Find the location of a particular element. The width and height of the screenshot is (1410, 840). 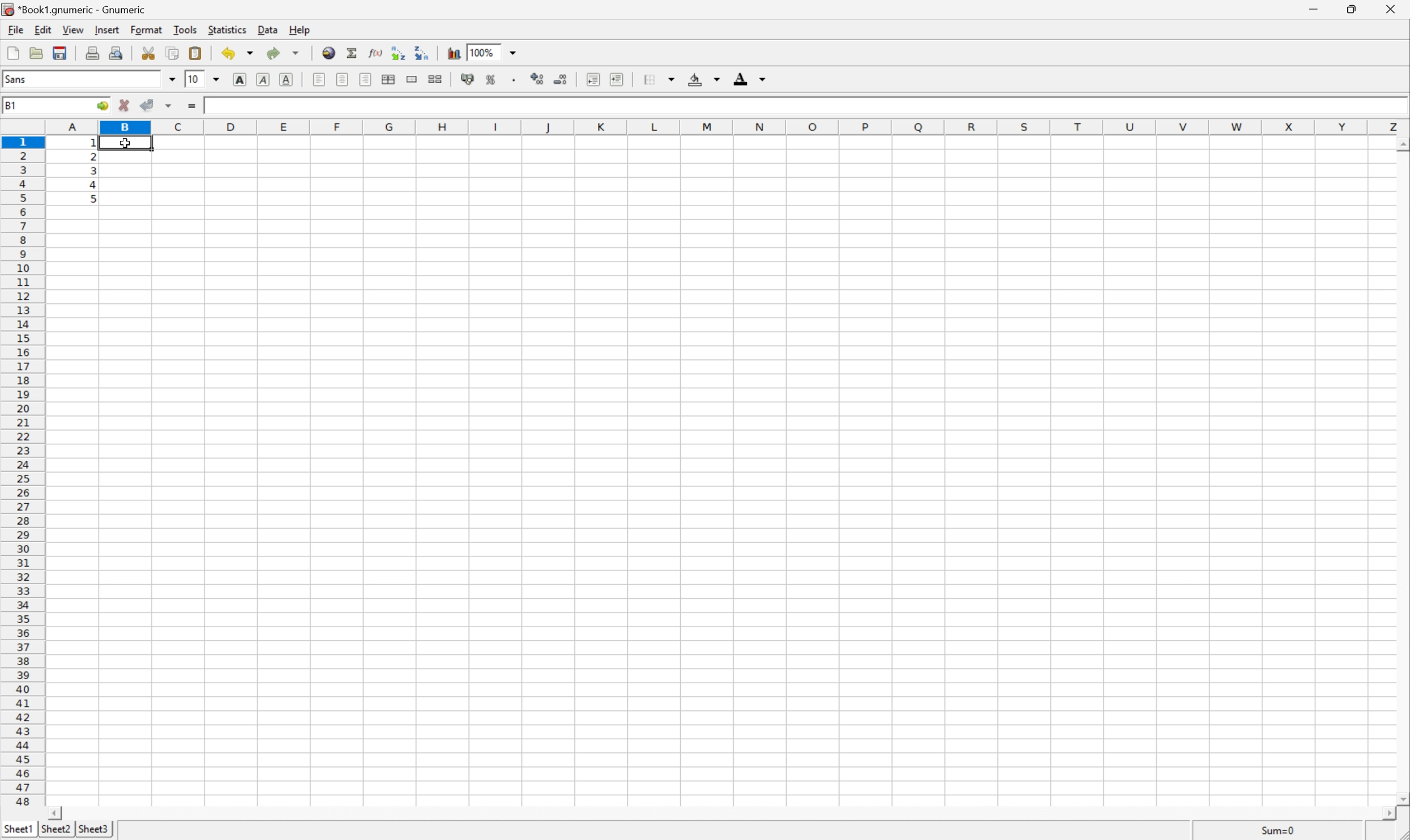

Drop Down is located at coordinates (174, 78).